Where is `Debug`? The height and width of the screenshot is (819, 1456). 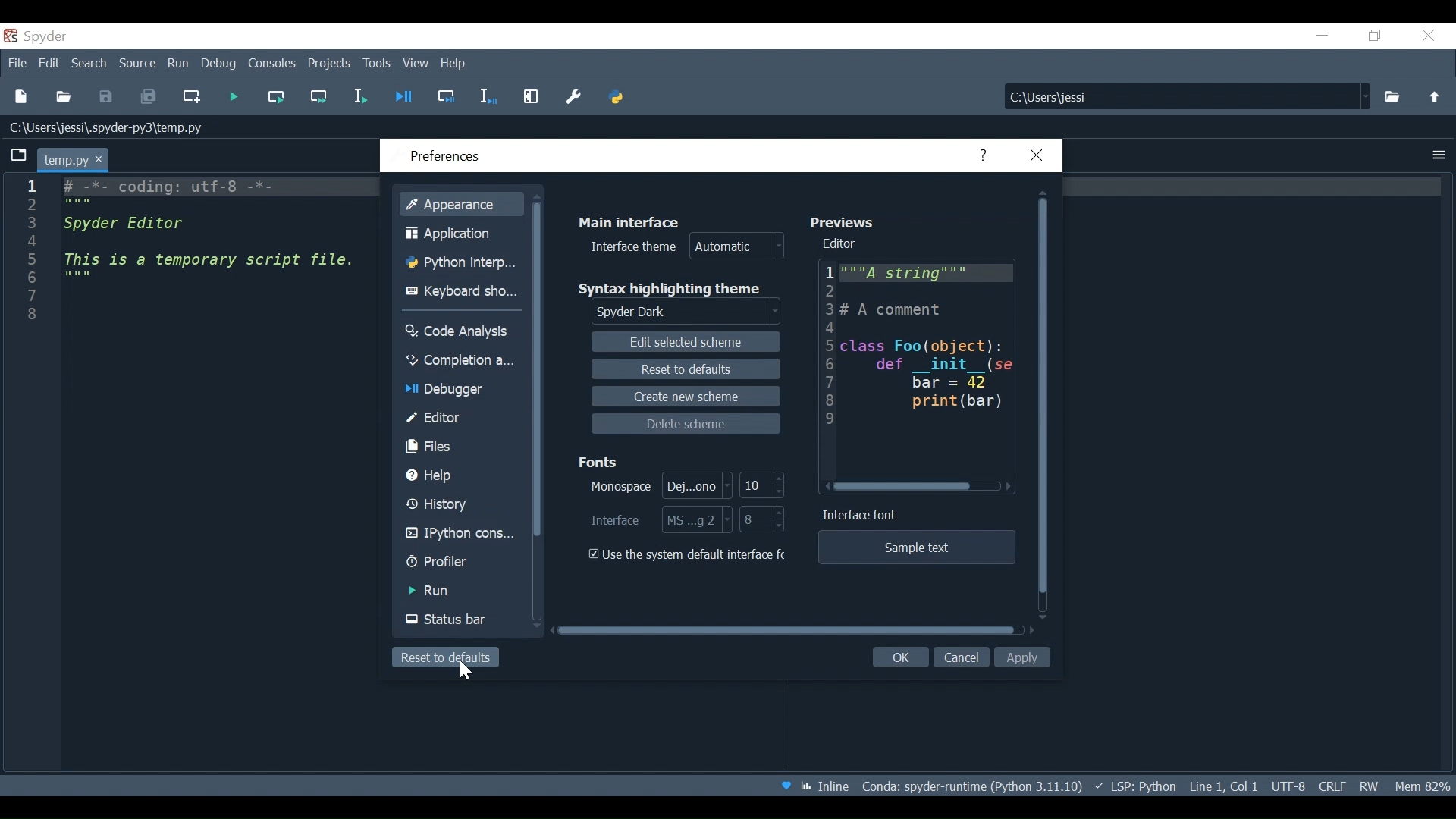
Debug is located at coordinates (220, 64).